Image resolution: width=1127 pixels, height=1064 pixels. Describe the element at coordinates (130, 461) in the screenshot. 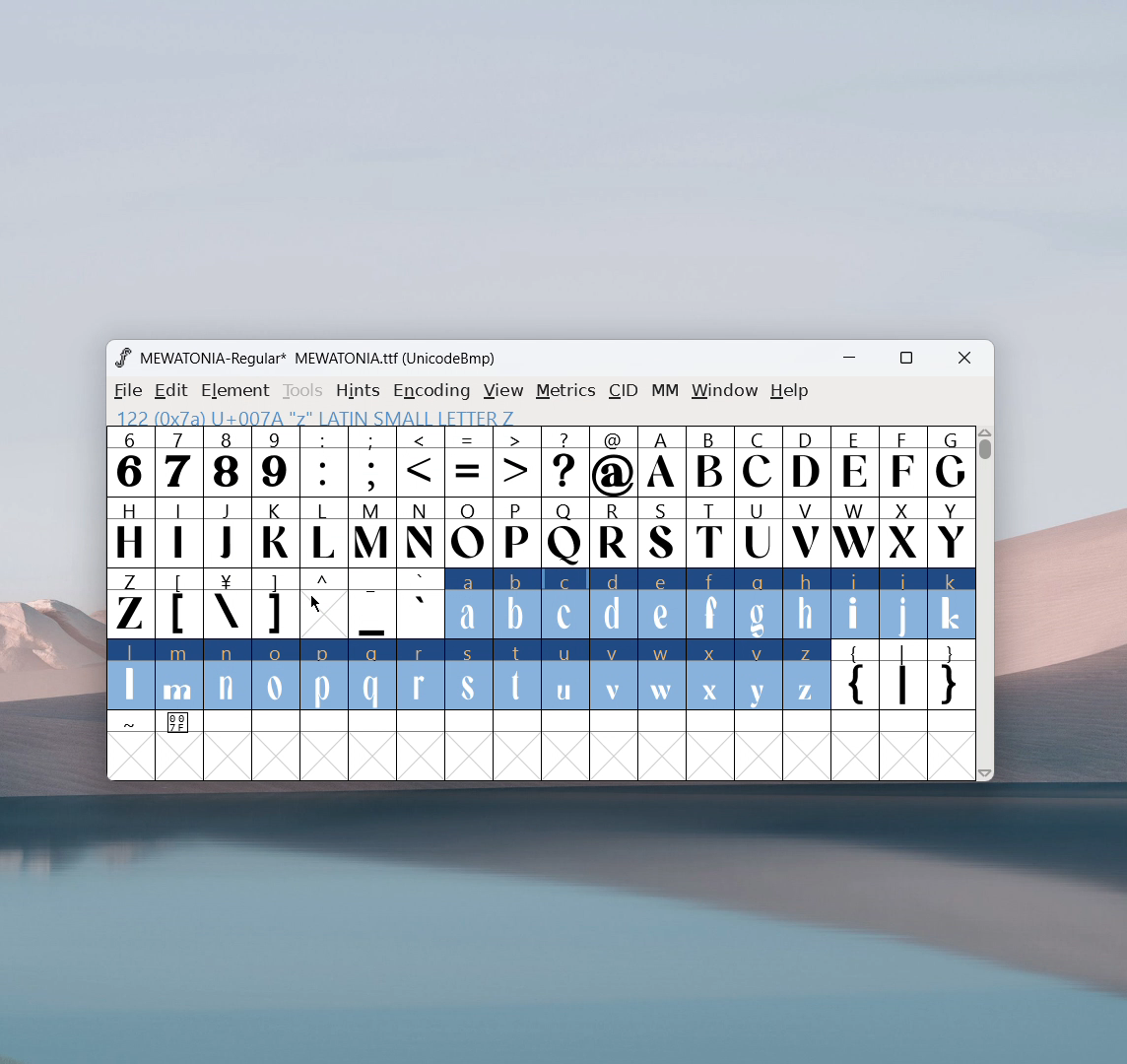

I see `6` at that location.